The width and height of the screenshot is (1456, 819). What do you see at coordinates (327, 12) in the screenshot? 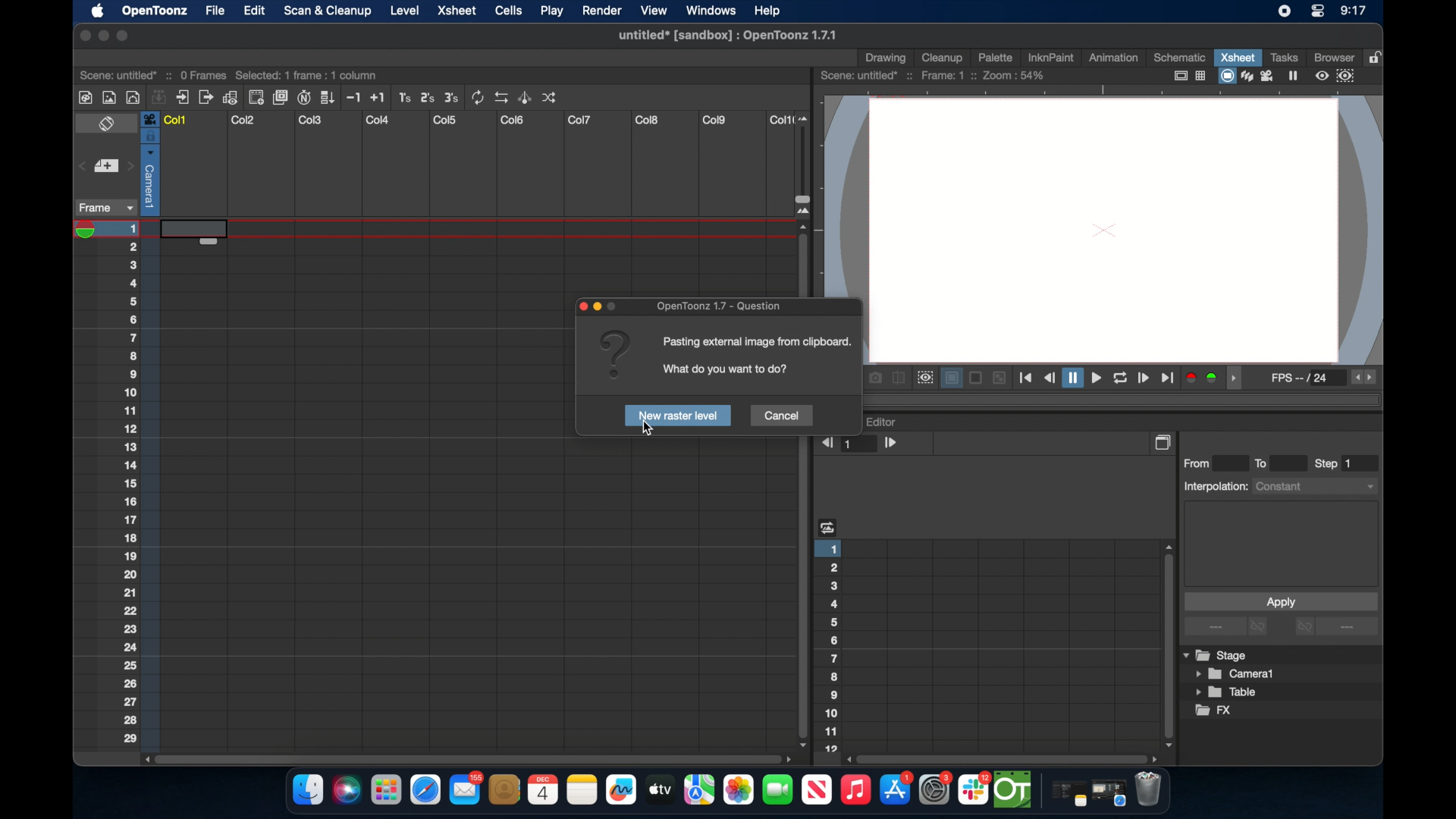
I see `scan & clean up` at bounding box center [327, 12].